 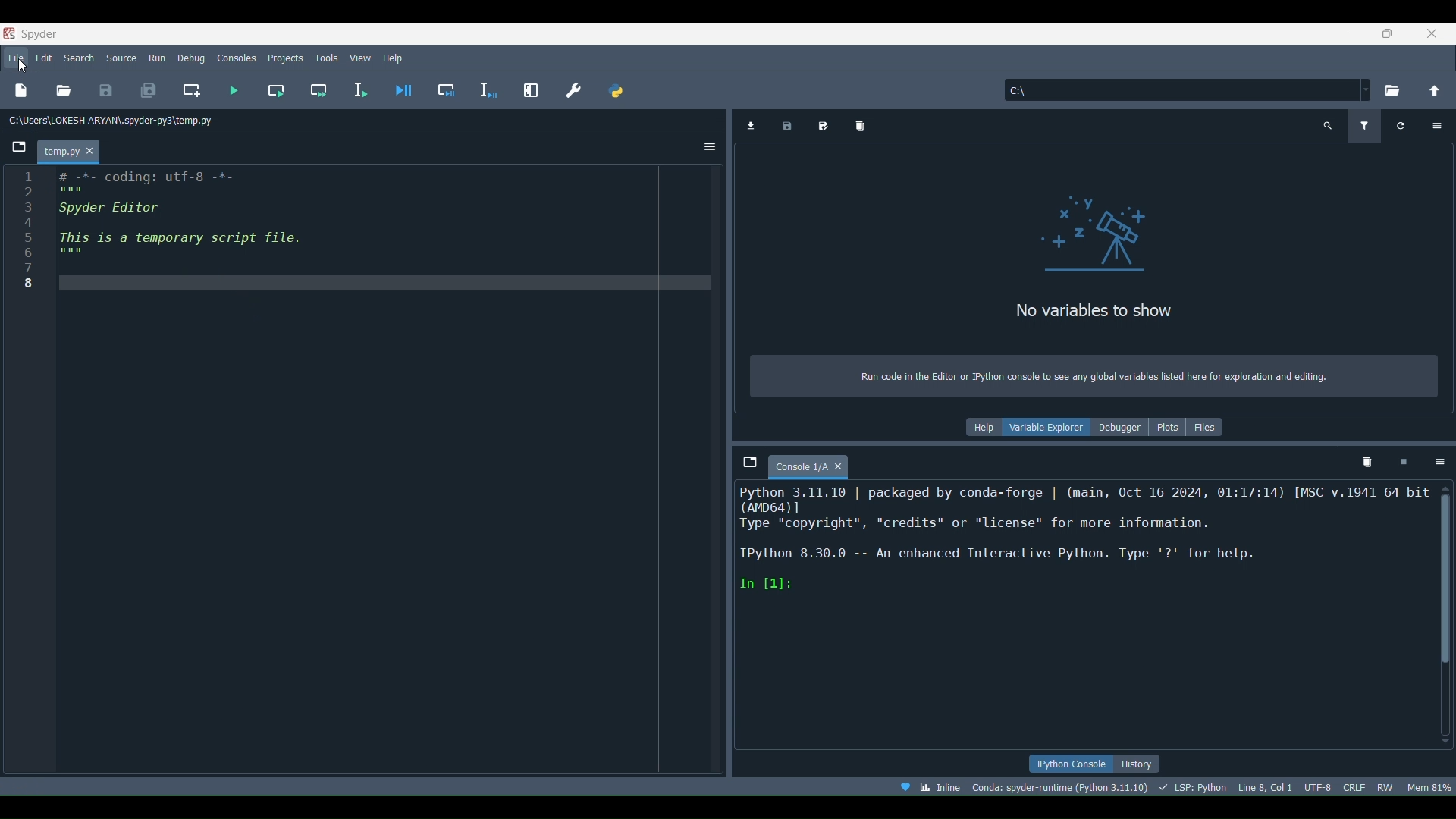 What do you see at coordinates (1266, 787) in the screenshot?
I see `Cursor position` at bounding box center [1266, 787].